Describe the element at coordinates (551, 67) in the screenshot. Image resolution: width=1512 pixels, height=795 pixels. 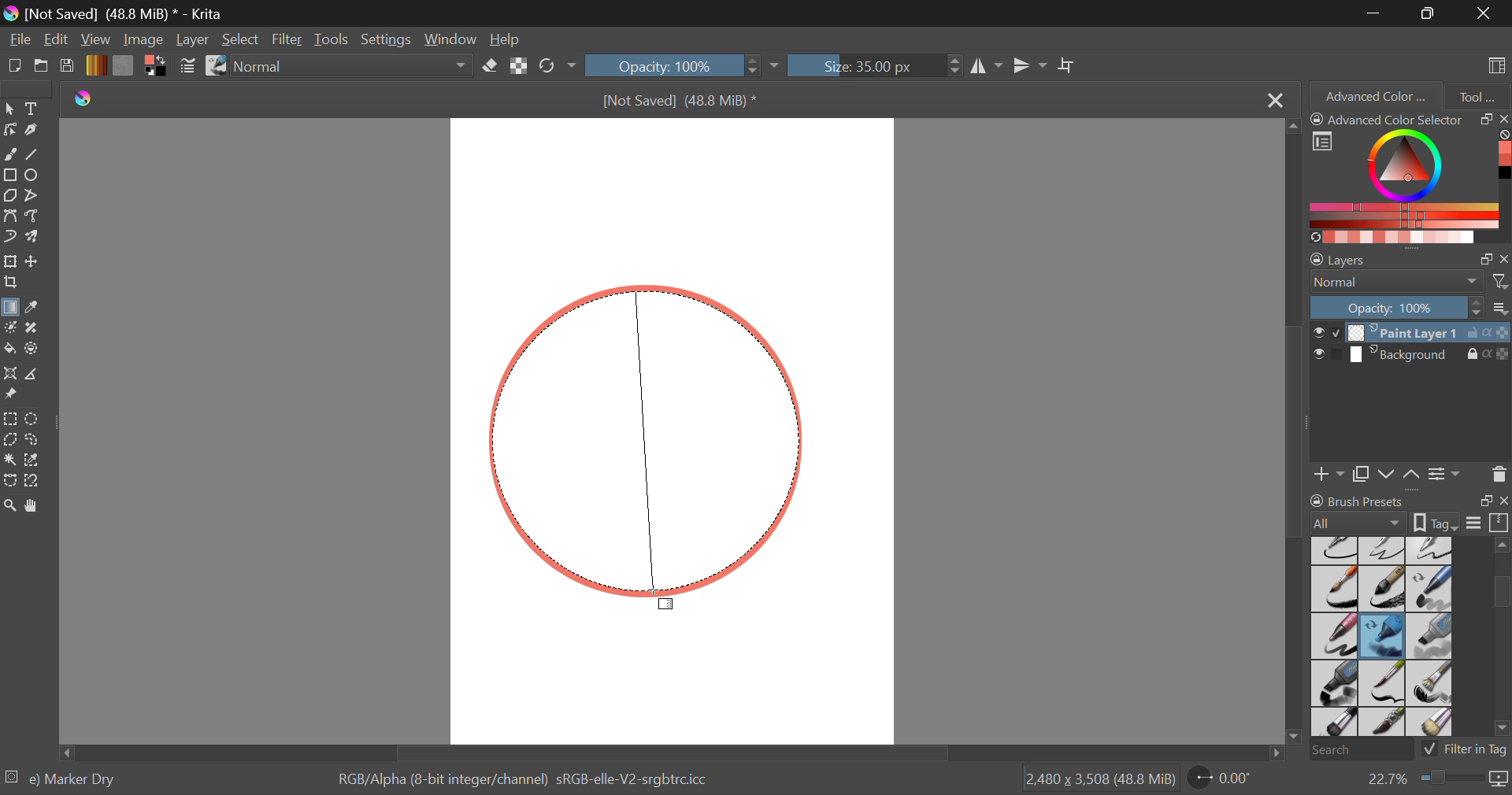
I see `Refresh` at that location.